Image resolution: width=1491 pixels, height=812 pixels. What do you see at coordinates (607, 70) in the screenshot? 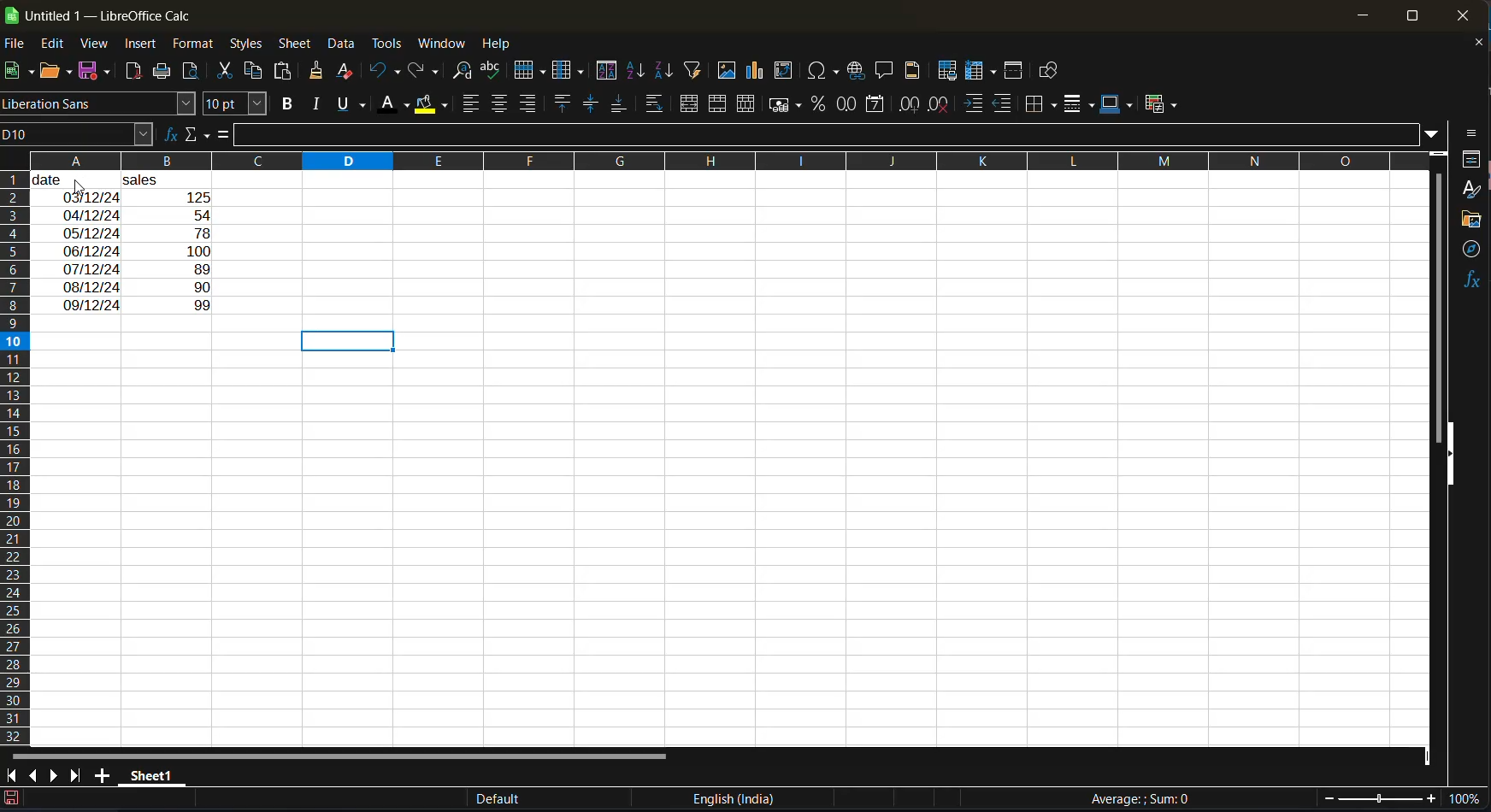
I see `sort` at bounding box center [607, 70].